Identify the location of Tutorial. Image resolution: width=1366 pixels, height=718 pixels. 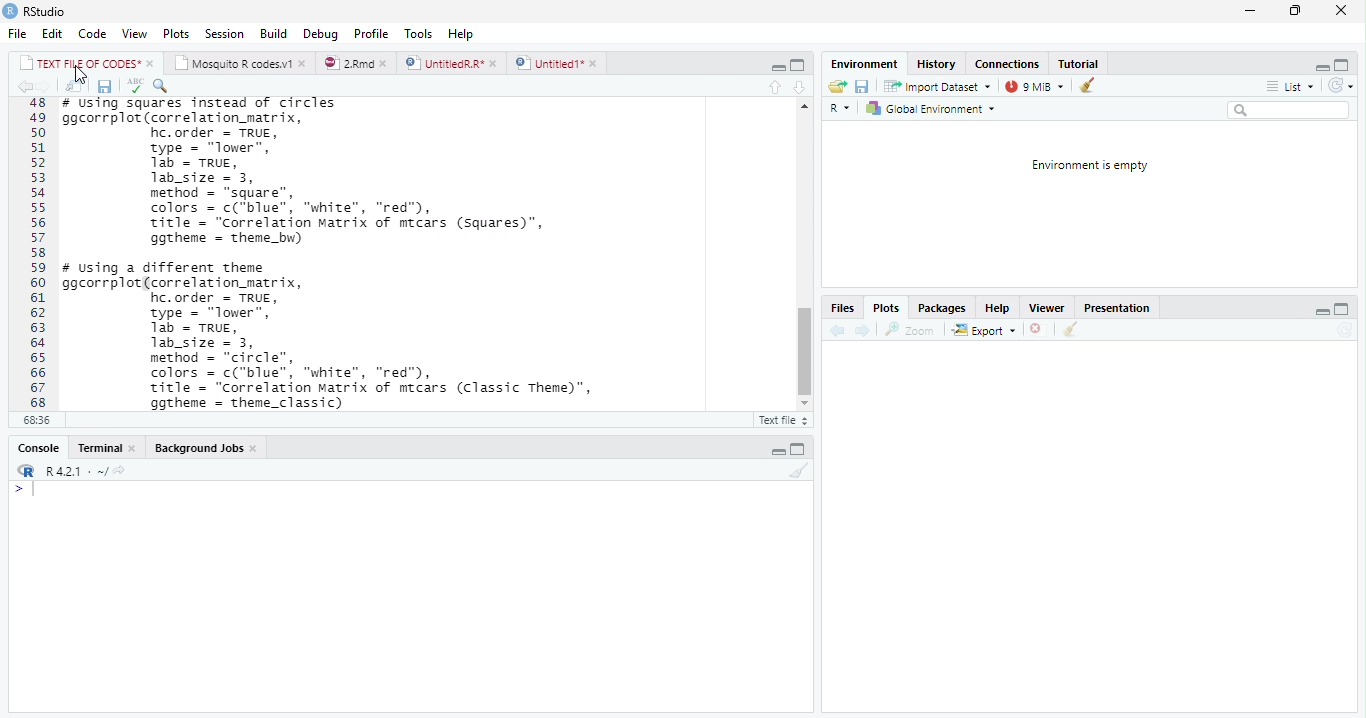
(1080, 63).